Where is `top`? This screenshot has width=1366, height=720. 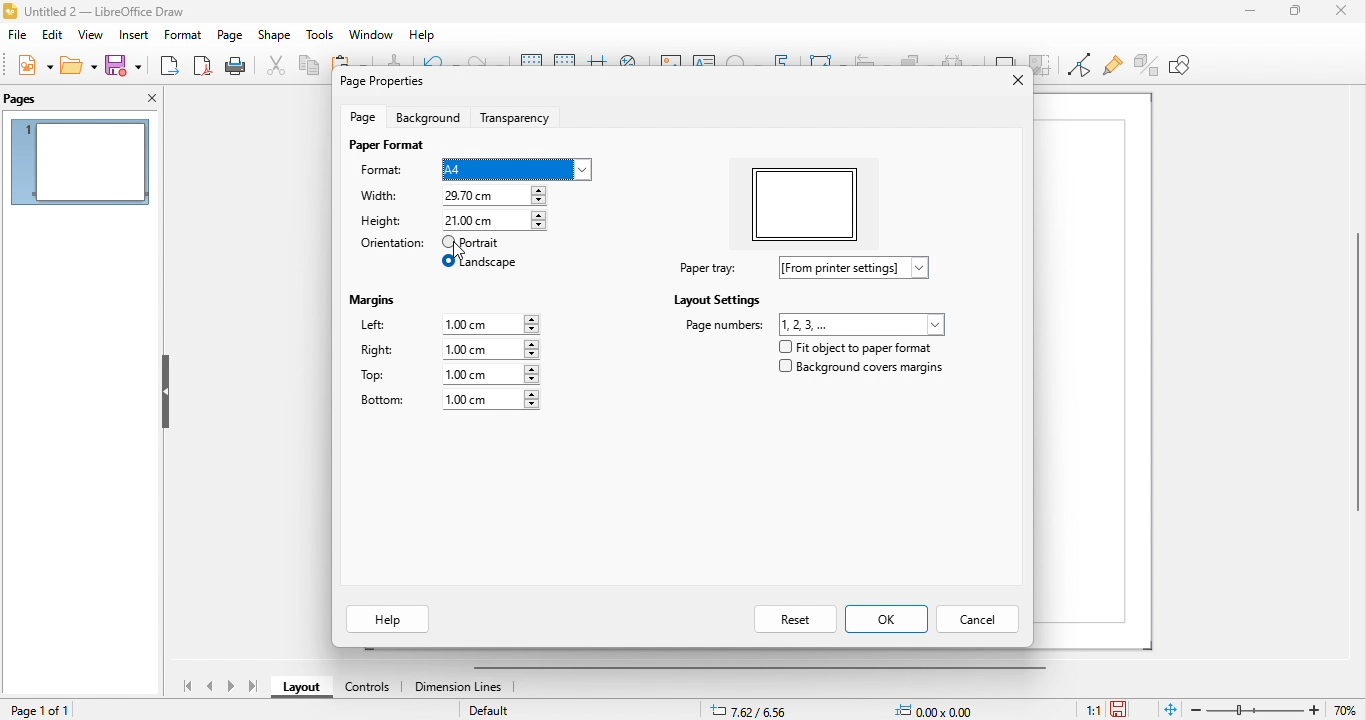
top is located at coordinates (459, 376).